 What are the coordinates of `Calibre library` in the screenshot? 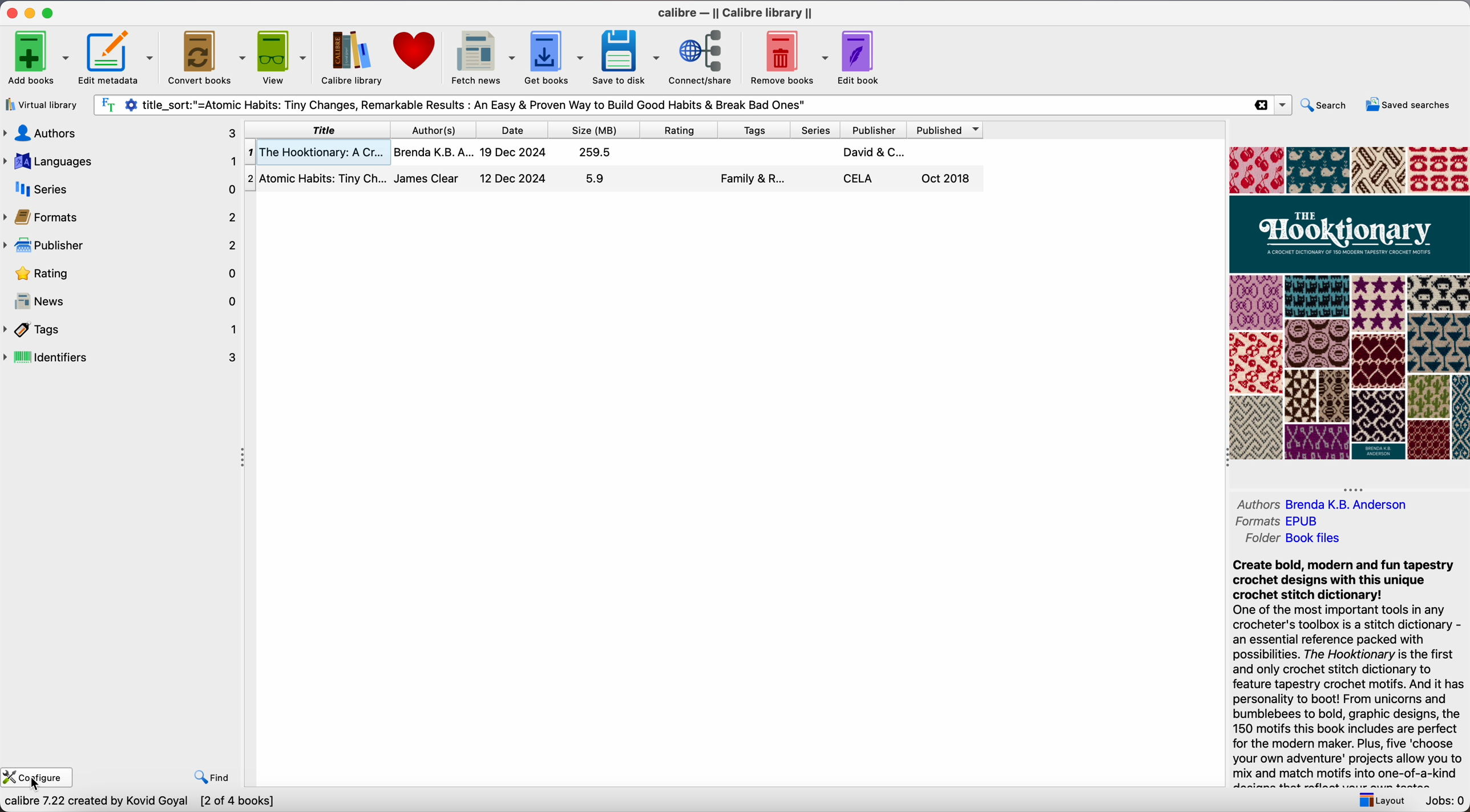 It's located at (352, 58).